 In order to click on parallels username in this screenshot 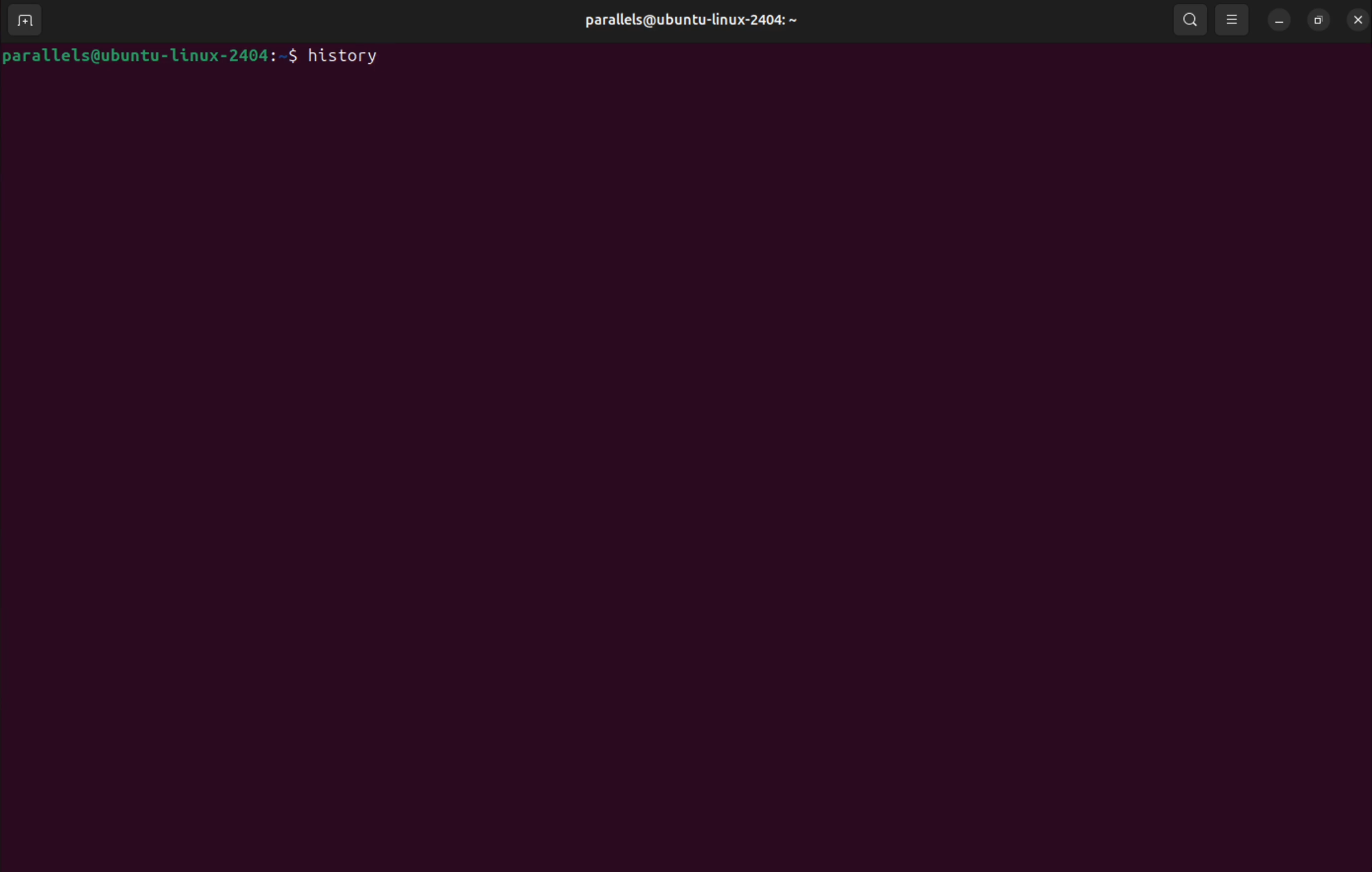, I will do `click(699, 18)`.